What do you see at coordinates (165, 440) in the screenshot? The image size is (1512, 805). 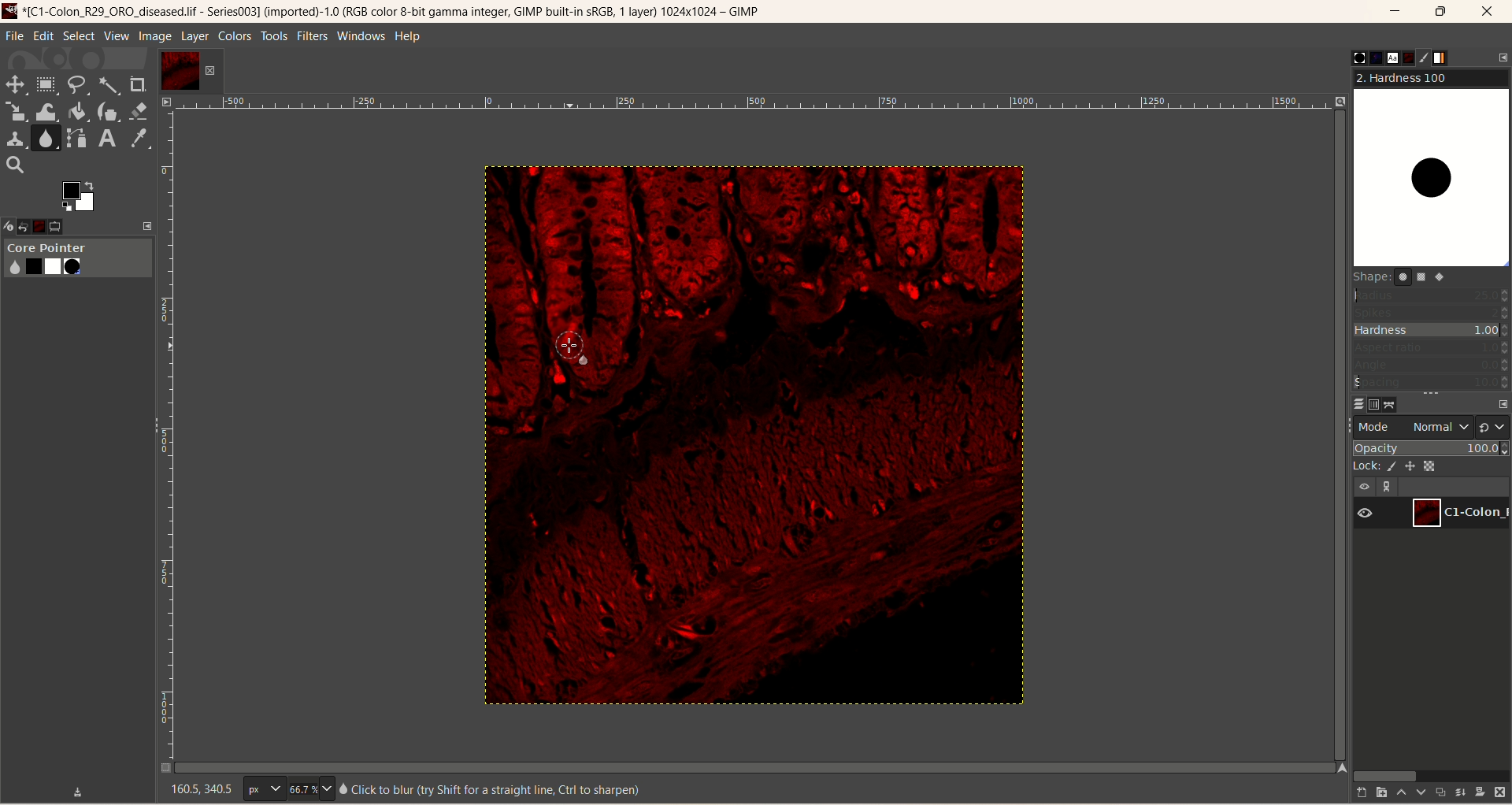 I see `scale bar` at bounding box center [165, 440].